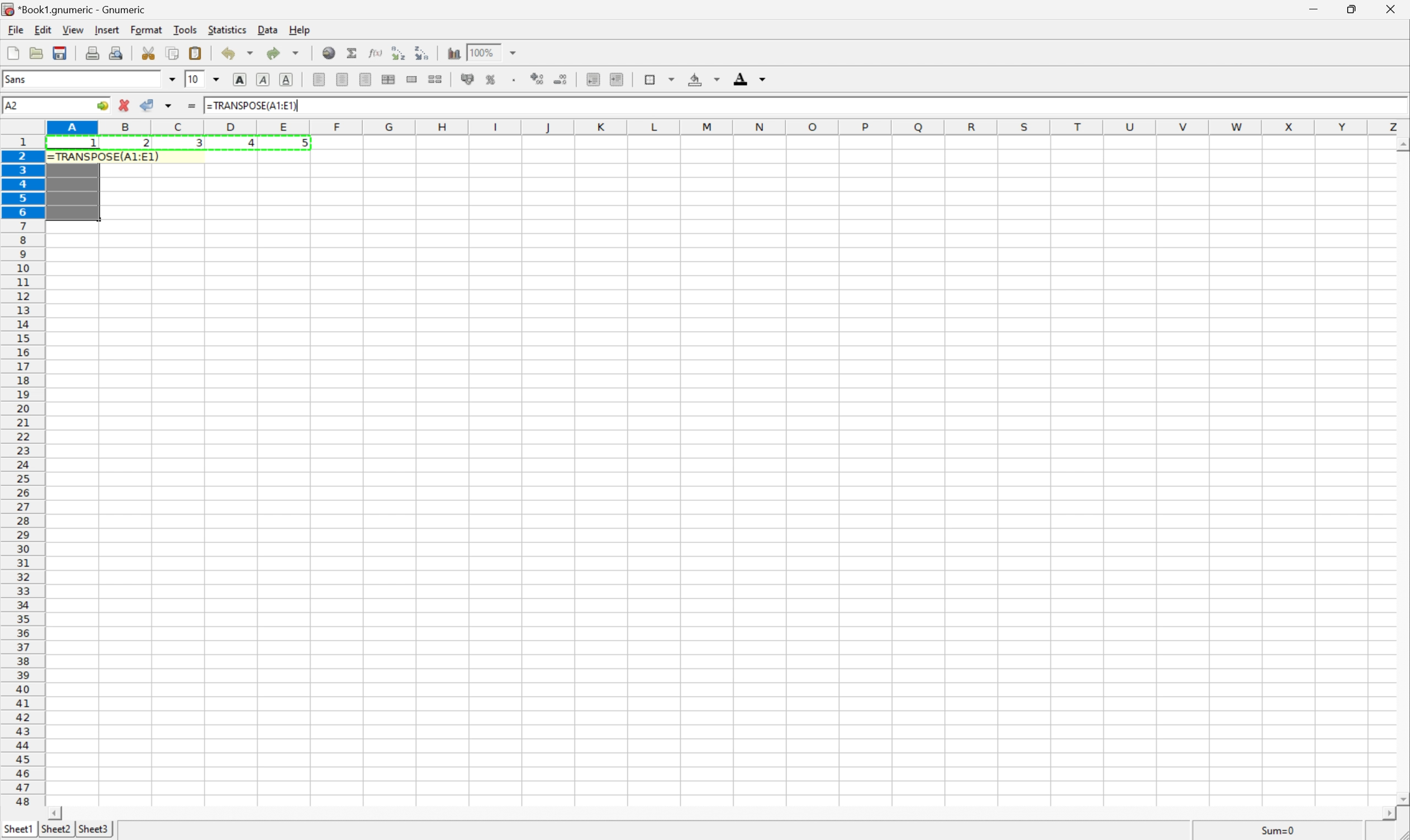  What do you see at coordinates (38, 52) in the screenshot?
I see `open file` at bounding box center [38, 52].